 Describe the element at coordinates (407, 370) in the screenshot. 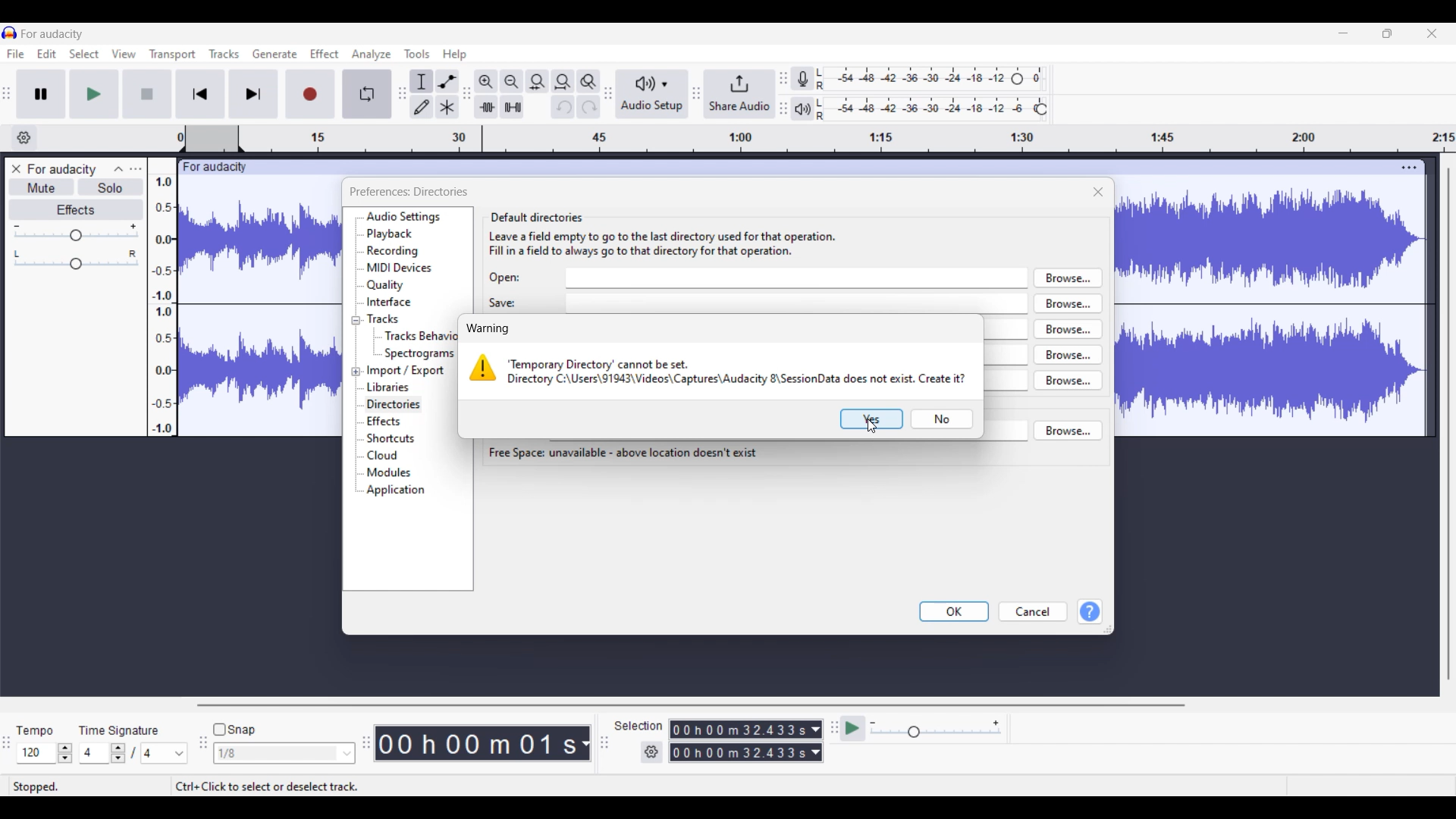

I see `Import/Export` at that location.